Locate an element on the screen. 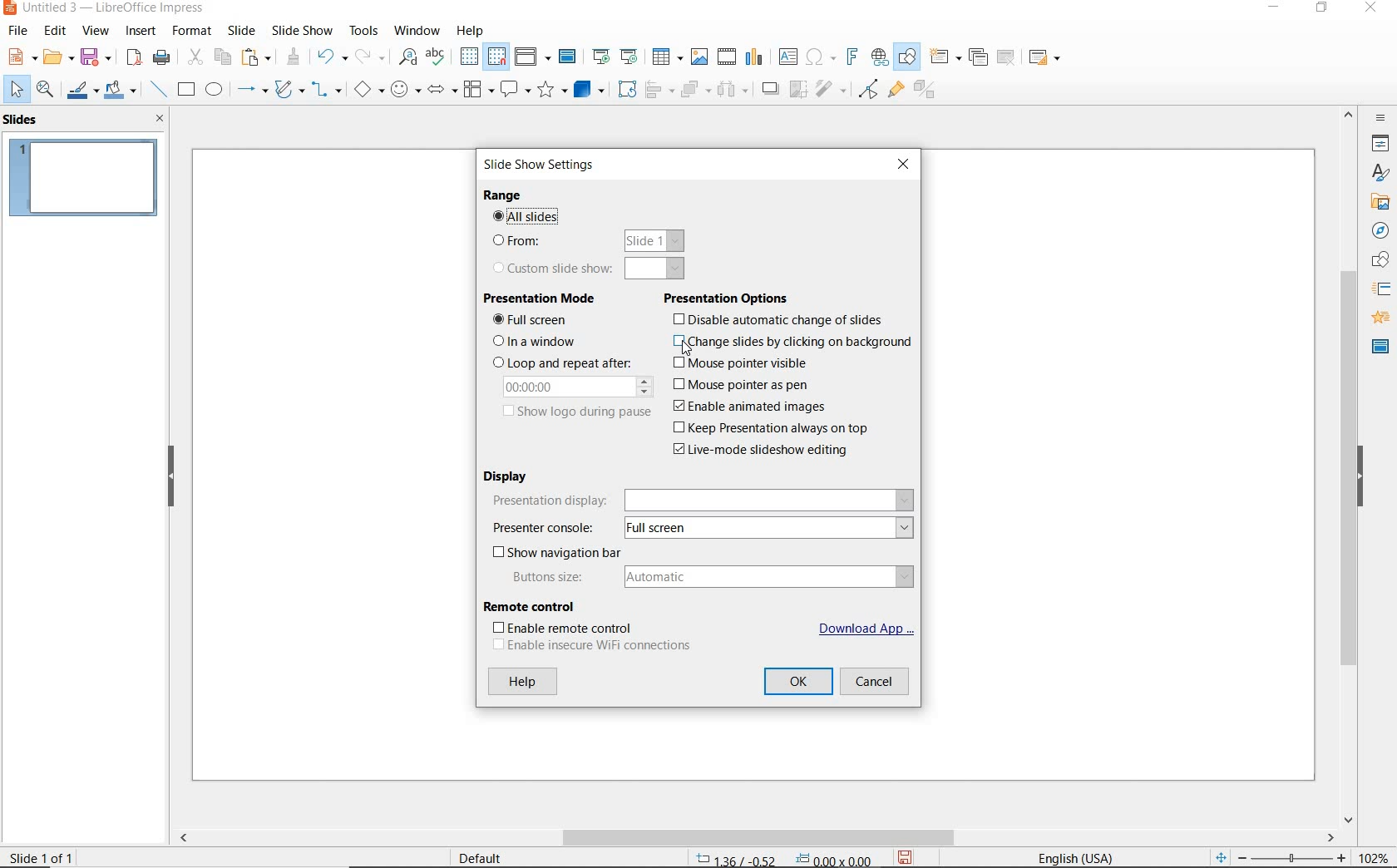 The height and width of the screenshot is (868, 1397). SHOW NAVIGATION BAR is located at coordinates (560, 552).